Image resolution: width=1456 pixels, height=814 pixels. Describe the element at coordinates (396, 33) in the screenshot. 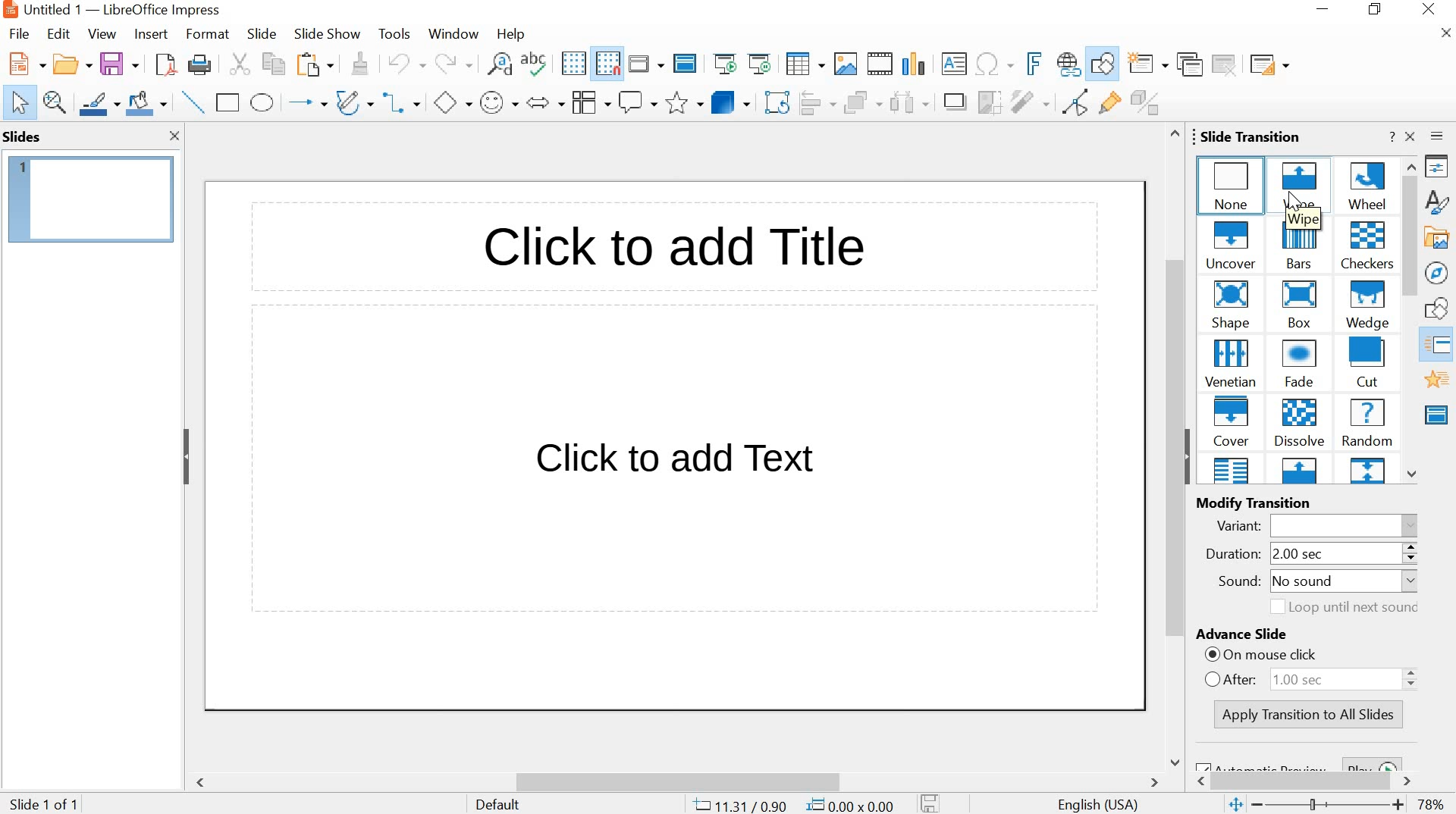

I see `TOOLS` at that location.